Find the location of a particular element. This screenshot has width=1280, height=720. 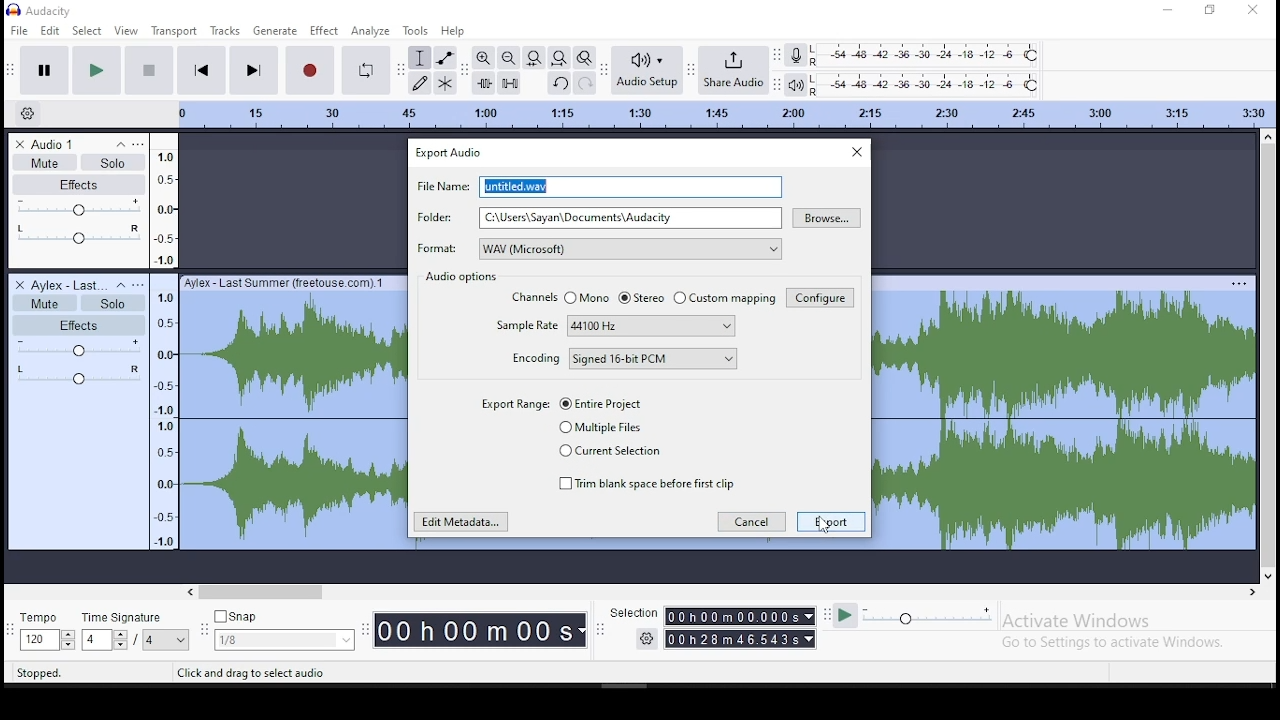

restore is located at coordinates (1212, 11).